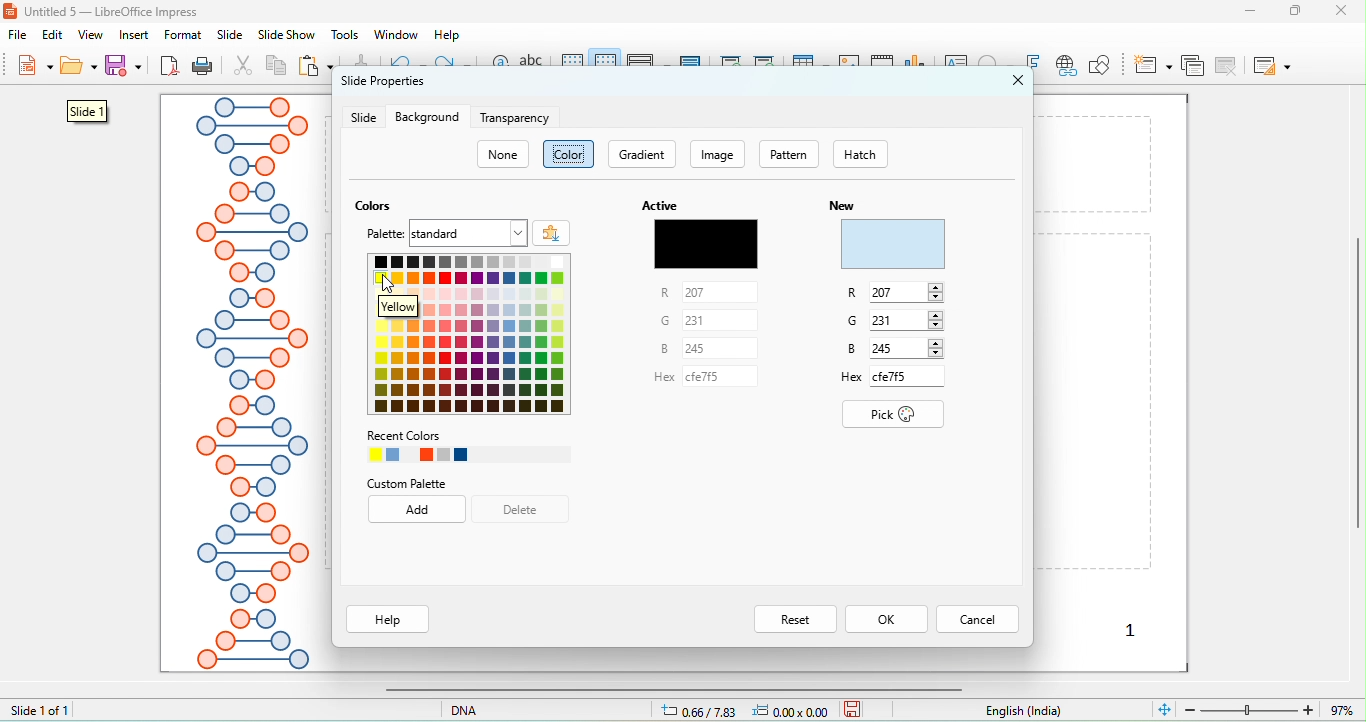  I want to click on window, so click(394, 34).